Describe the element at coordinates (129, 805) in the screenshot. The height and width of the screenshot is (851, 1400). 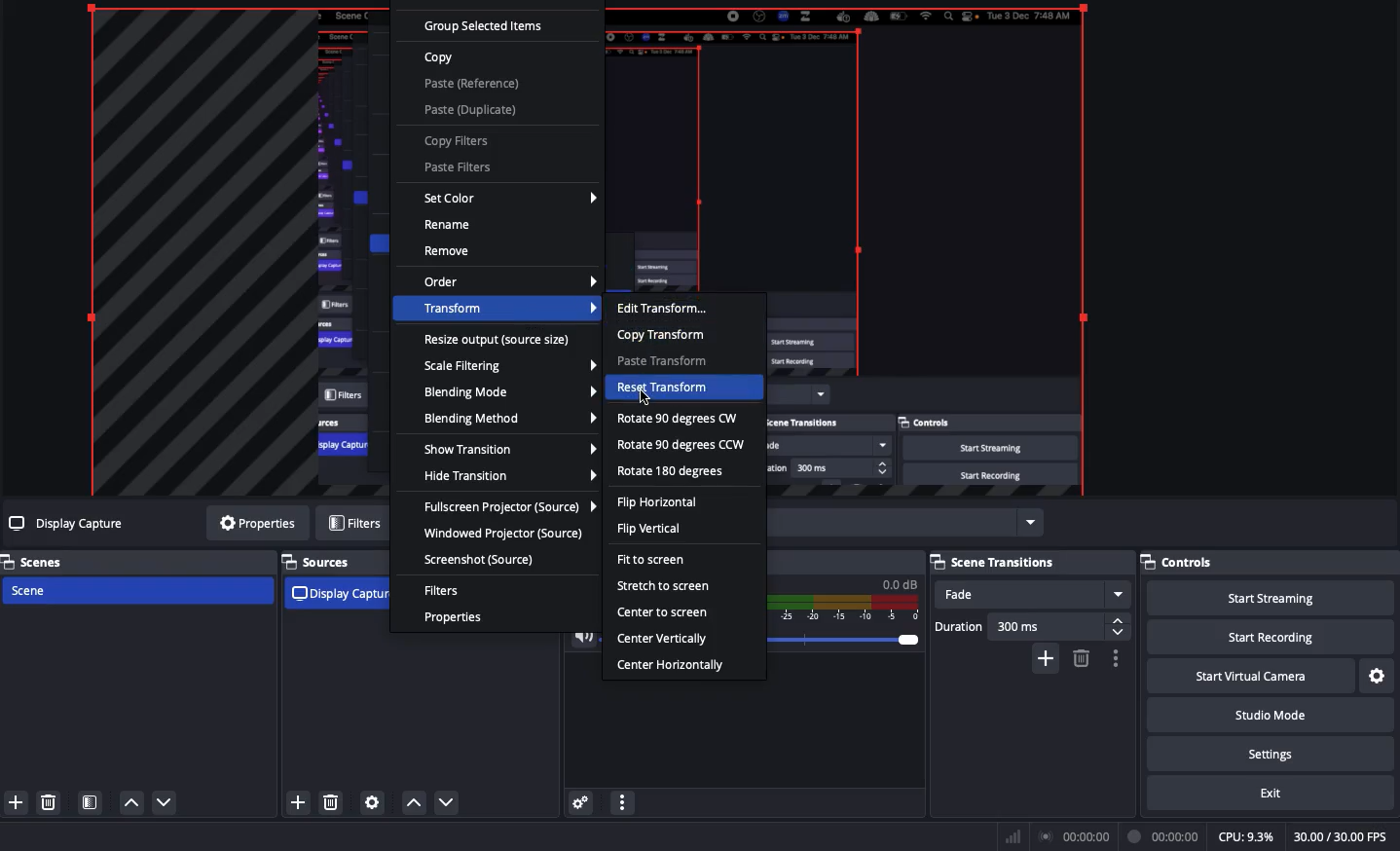
I see `Move up` at that location.